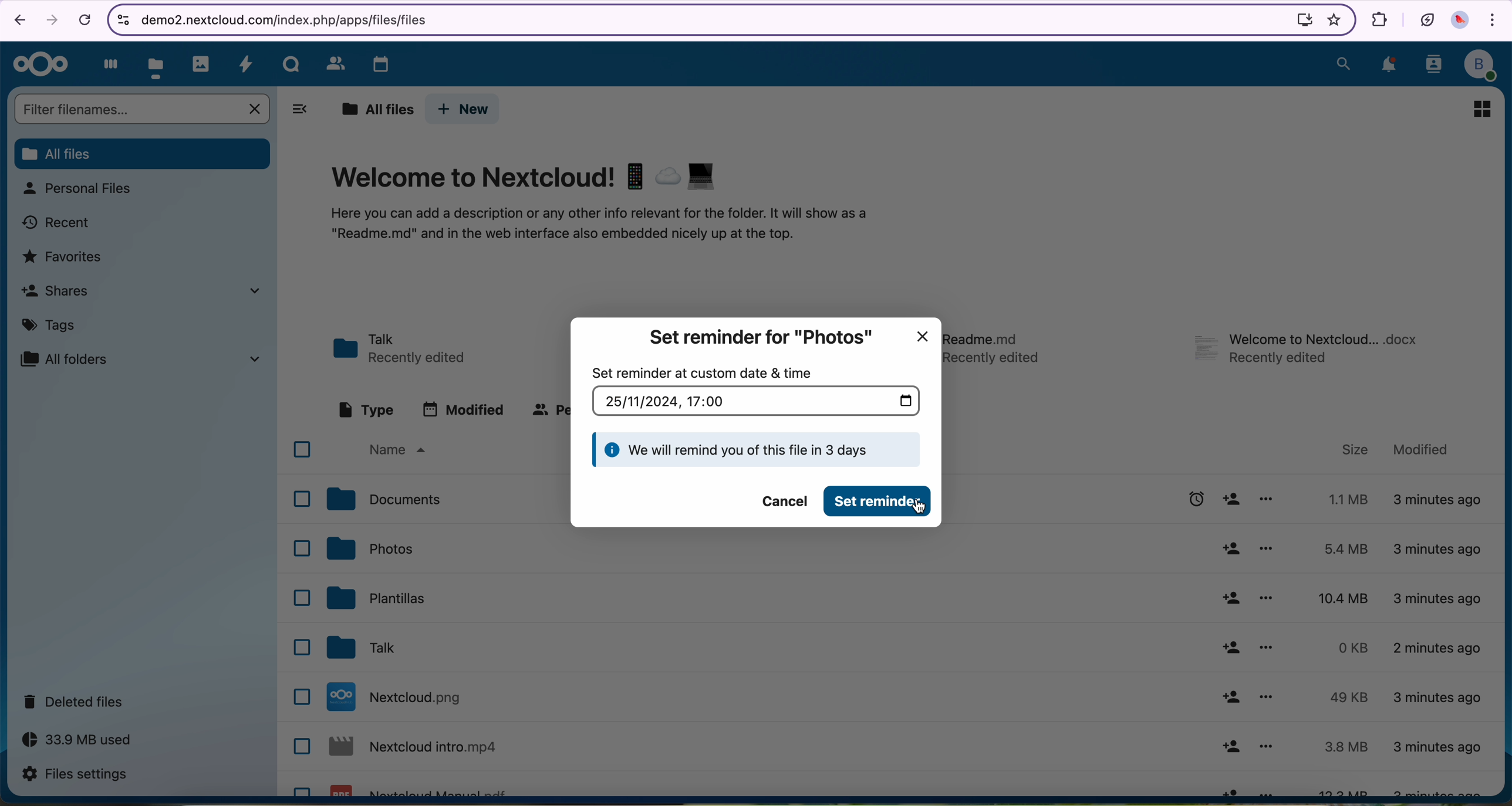  What do you see at coordinates (1230, 747) in the screenshot?
I see `share` at bounding box center [1230, 747].